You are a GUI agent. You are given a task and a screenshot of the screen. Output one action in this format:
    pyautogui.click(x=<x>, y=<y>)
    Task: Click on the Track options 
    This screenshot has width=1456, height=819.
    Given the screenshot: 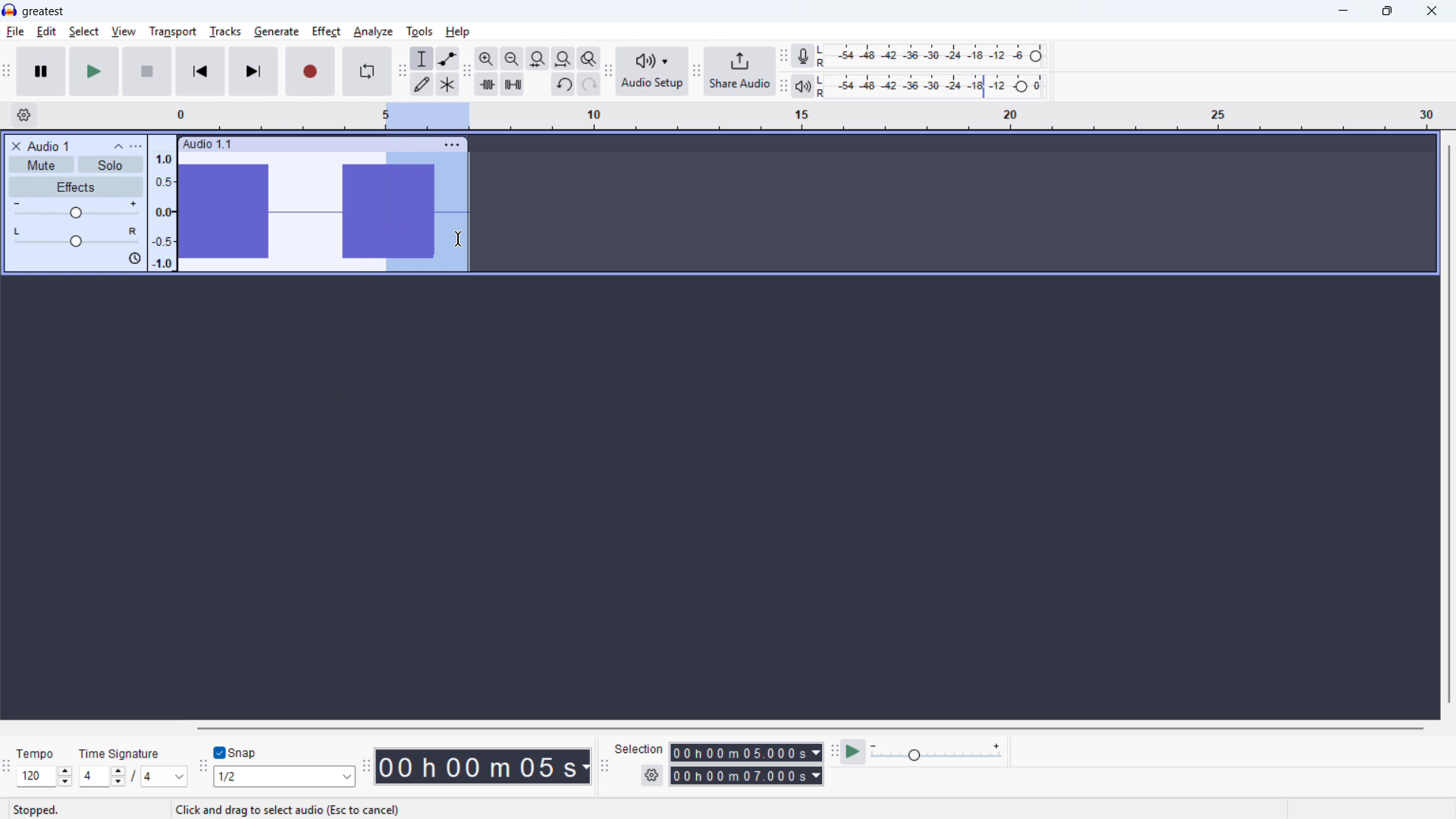 What is the action you would take?
    pyautogui.click(x=453, y=145)
    